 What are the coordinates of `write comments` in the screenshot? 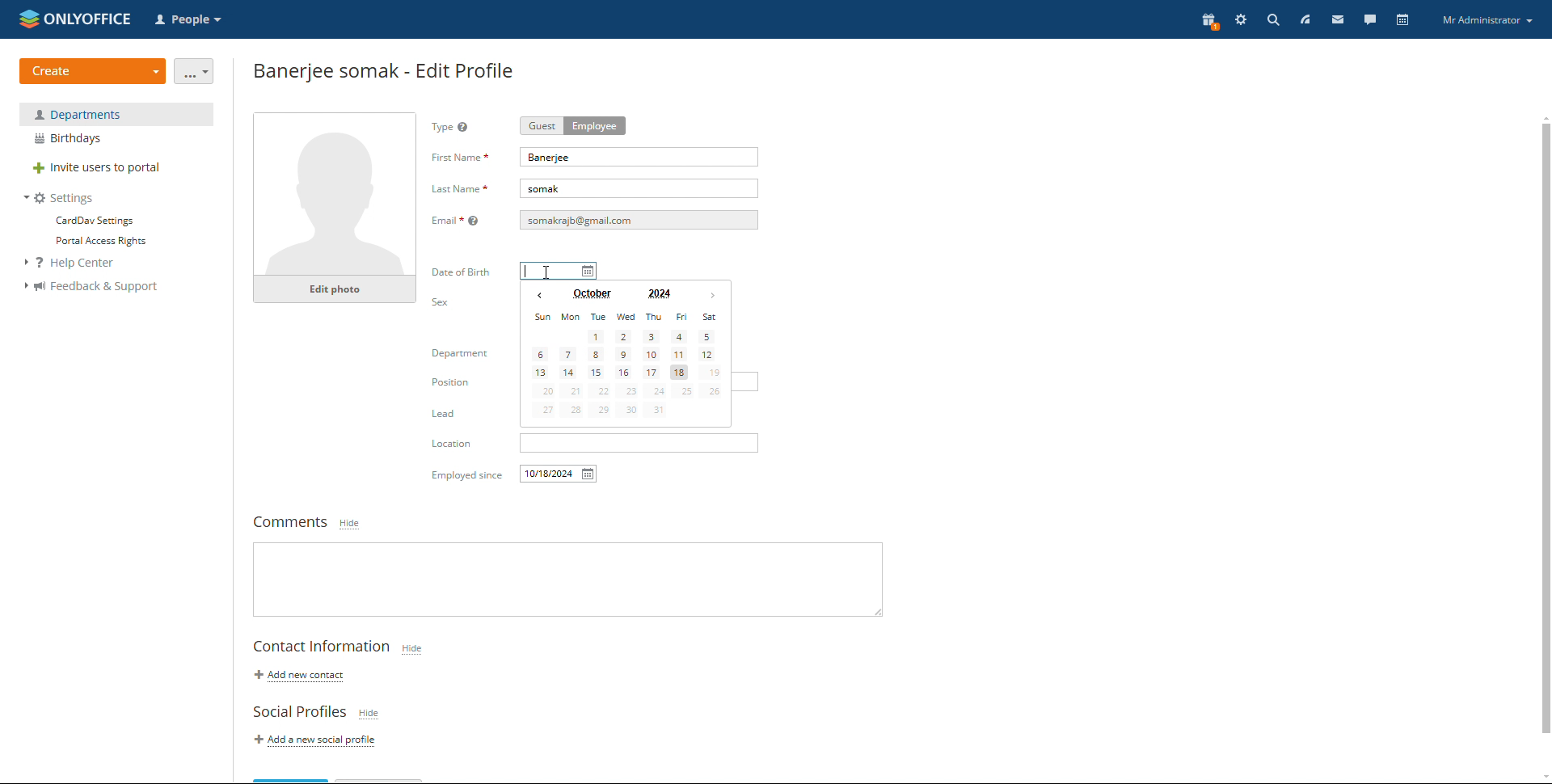 It's located at (567, 580).